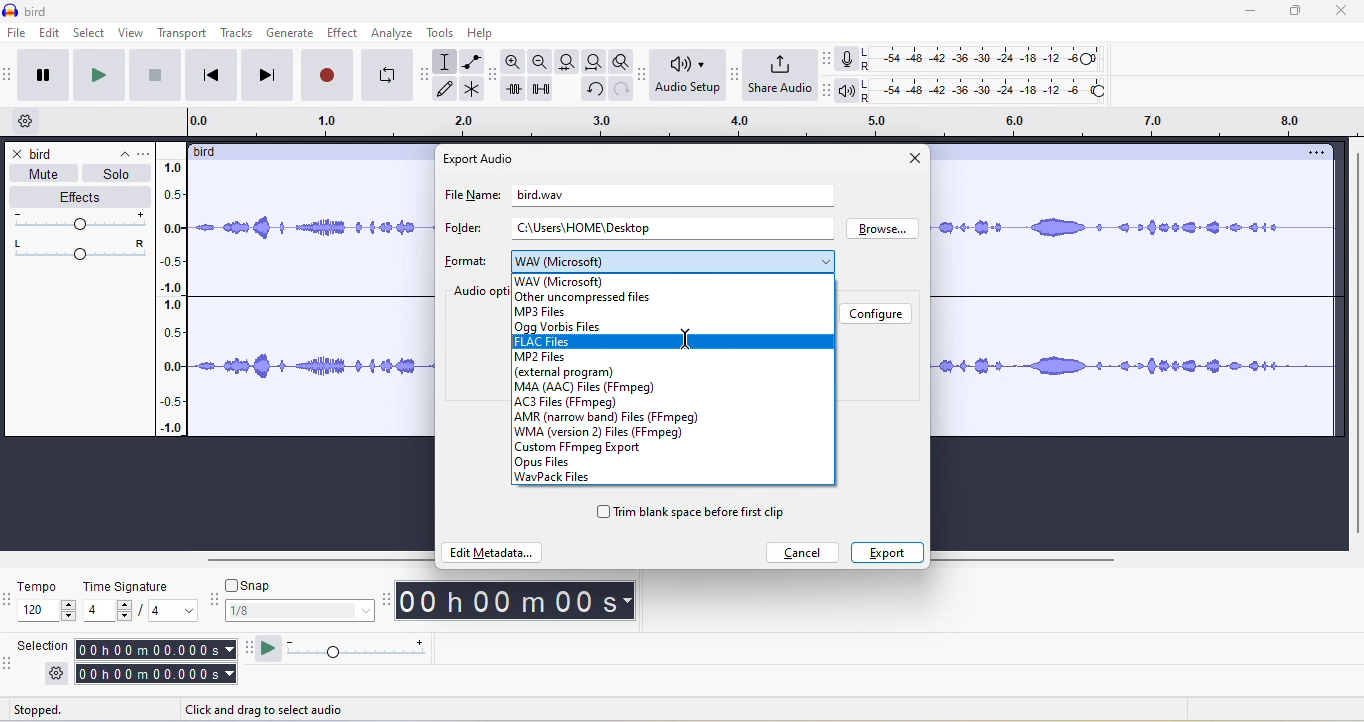 This screenshot has height=722, width=1364. Describe the element at coordinates (214, 75) in the screenshot. I see `skip to start` at that location.